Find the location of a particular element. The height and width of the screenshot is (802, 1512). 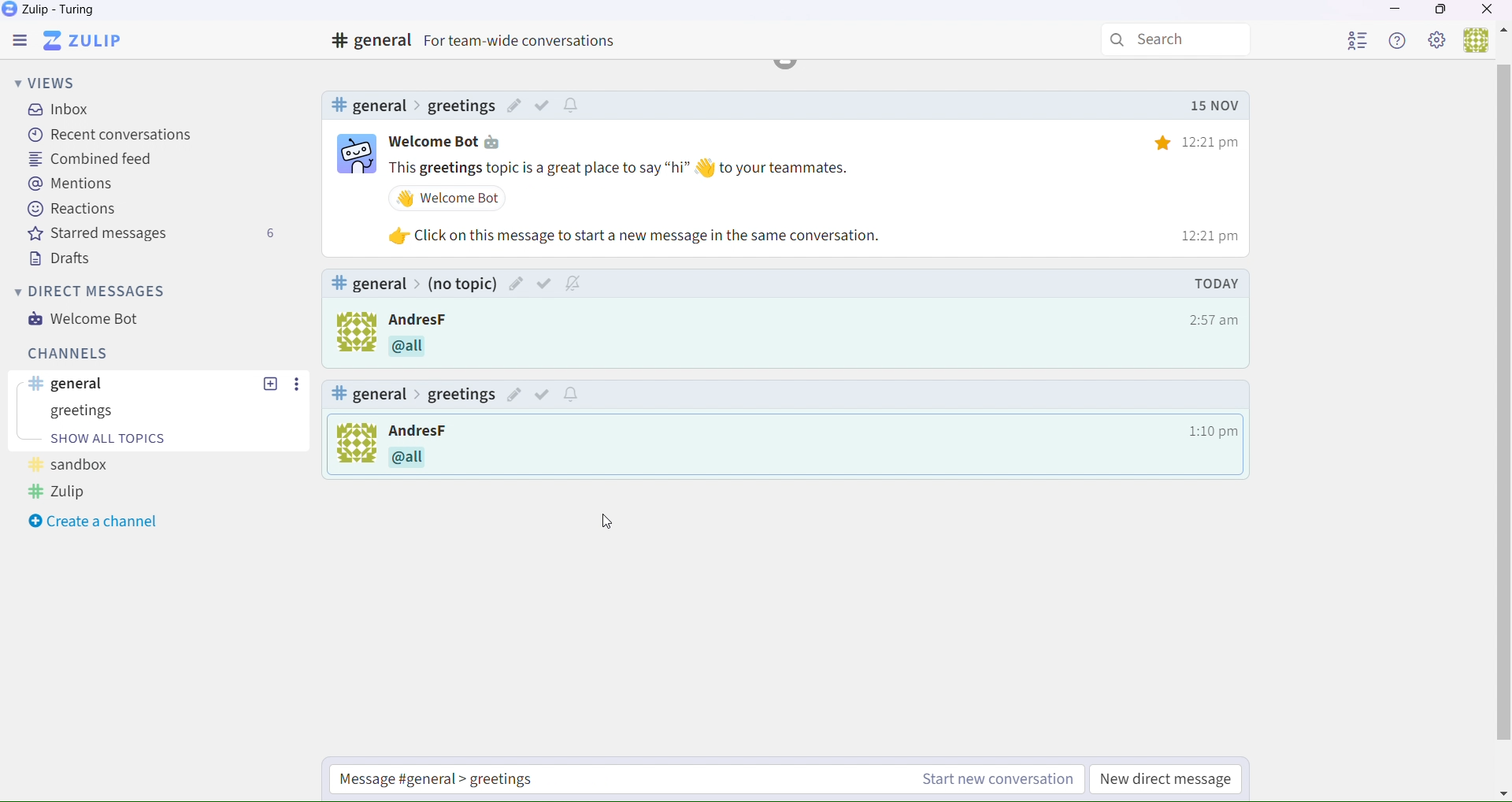

Direct messages is located at coordinates (93, 292).